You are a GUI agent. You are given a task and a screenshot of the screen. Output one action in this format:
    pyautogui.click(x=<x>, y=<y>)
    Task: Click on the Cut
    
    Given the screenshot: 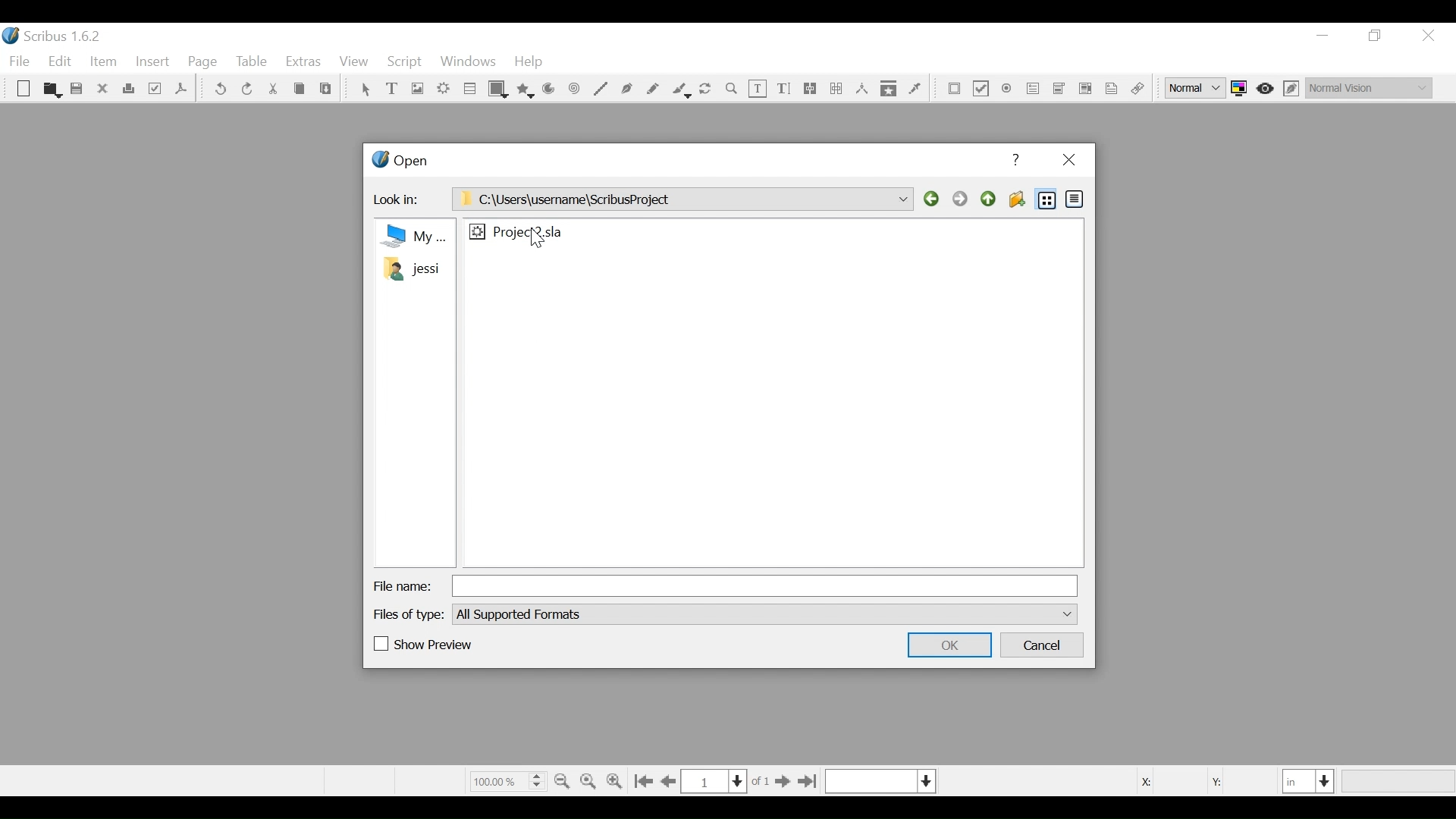 What is the action you would take?
    pyautogui.click(x=272, y=89)
    